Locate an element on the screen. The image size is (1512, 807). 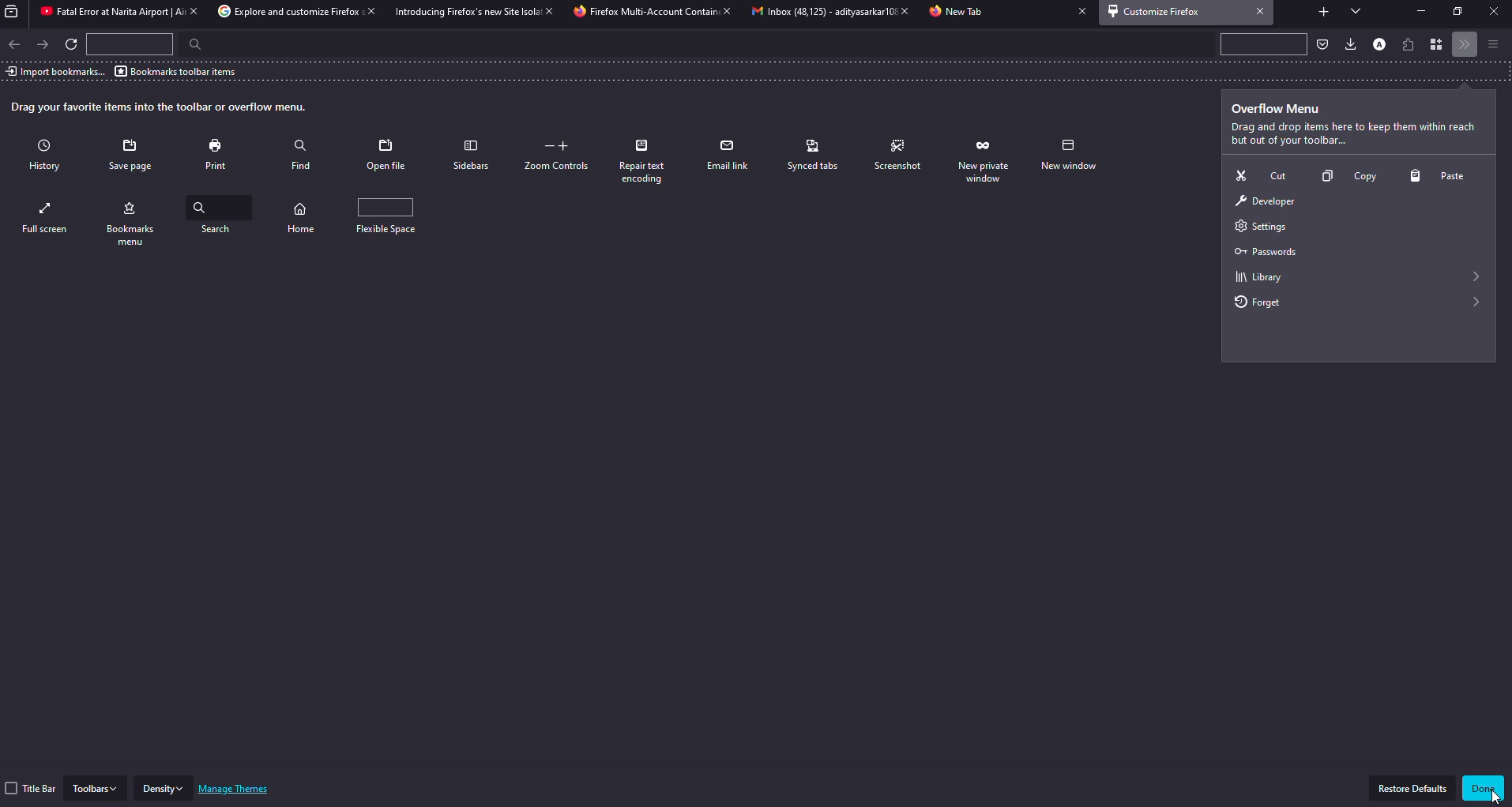
zoom controls is located at coordinates (559, 156).